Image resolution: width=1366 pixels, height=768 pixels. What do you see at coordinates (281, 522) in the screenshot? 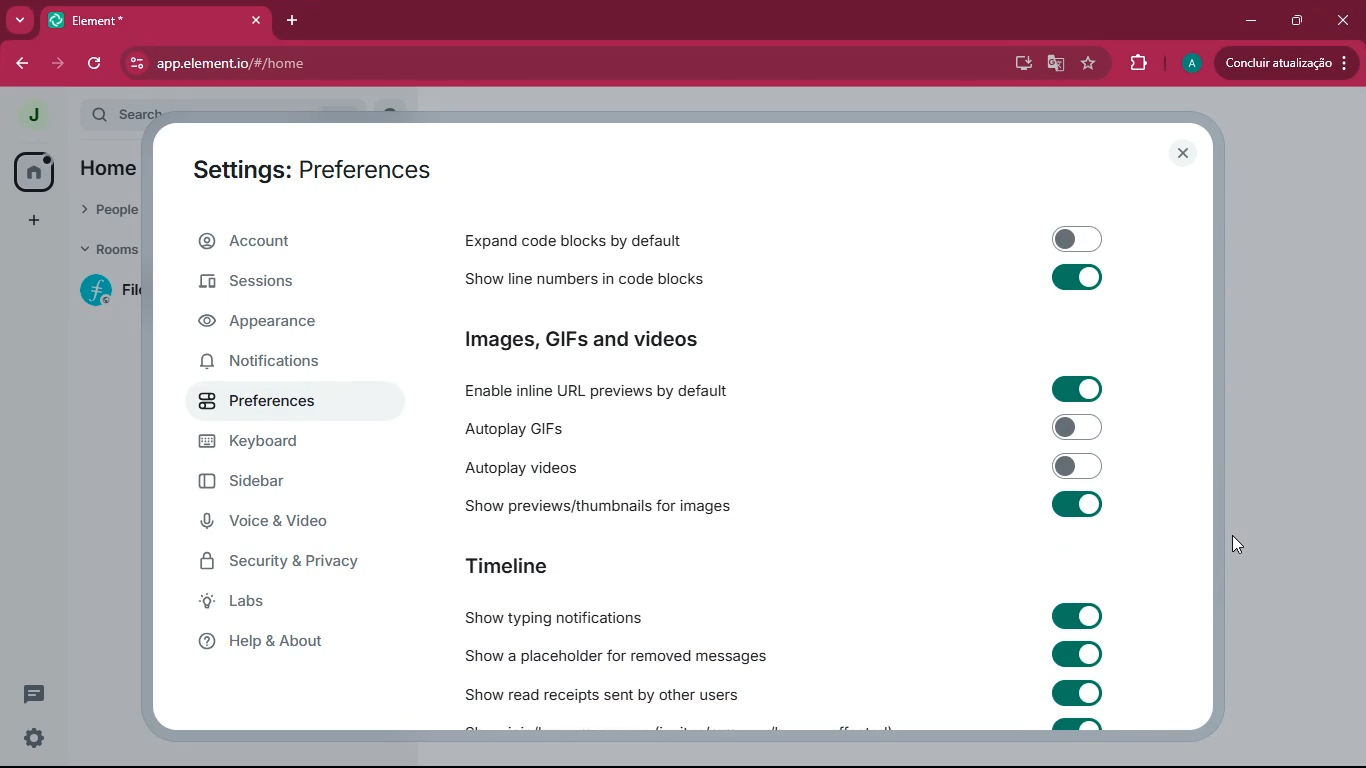
I see `voice & video` at bounding box center [281, 522].